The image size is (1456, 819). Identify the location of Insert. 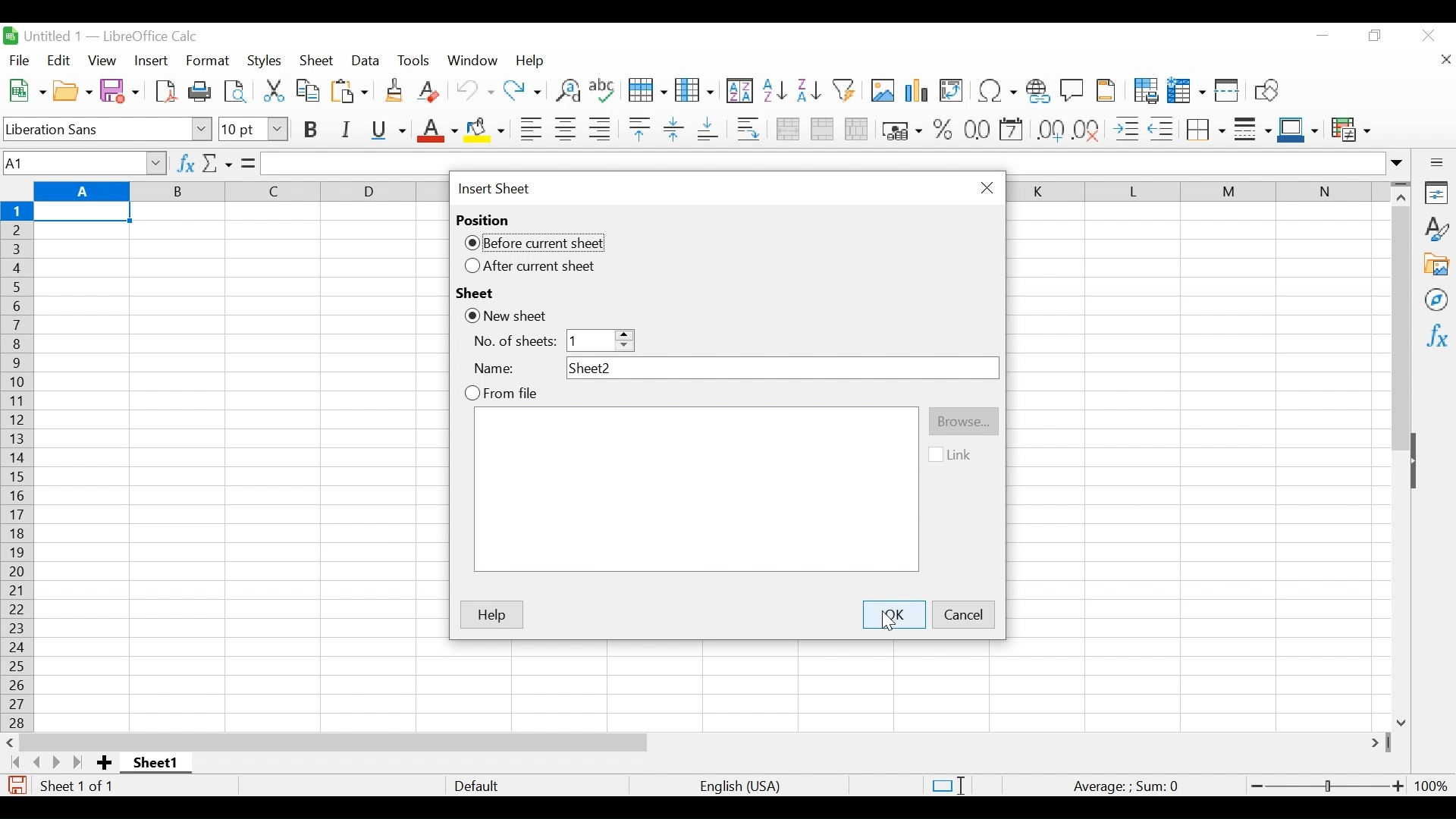
(152, 60).